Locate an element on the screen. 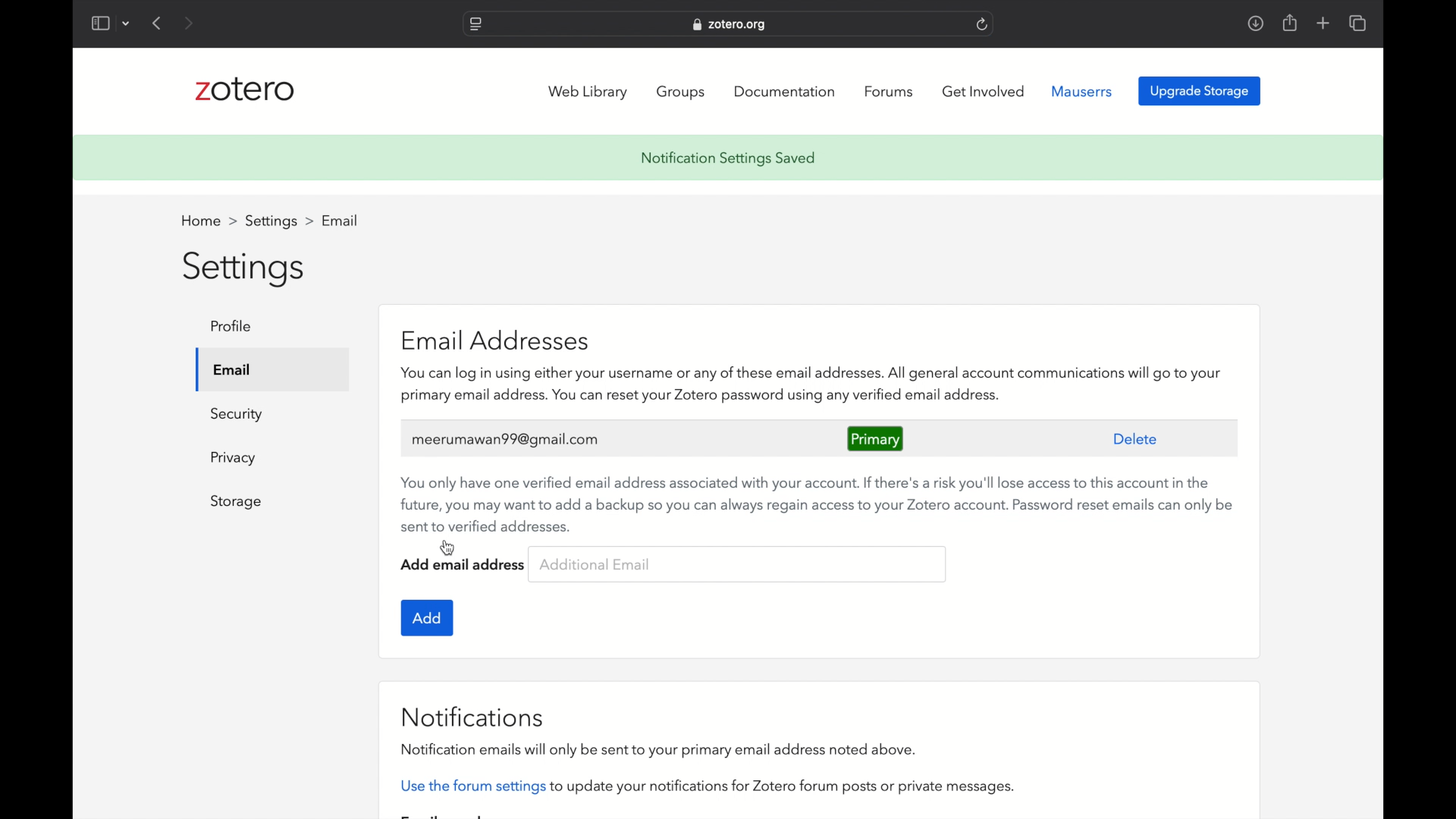  mauserrs is located at coordinates (1083, 92).